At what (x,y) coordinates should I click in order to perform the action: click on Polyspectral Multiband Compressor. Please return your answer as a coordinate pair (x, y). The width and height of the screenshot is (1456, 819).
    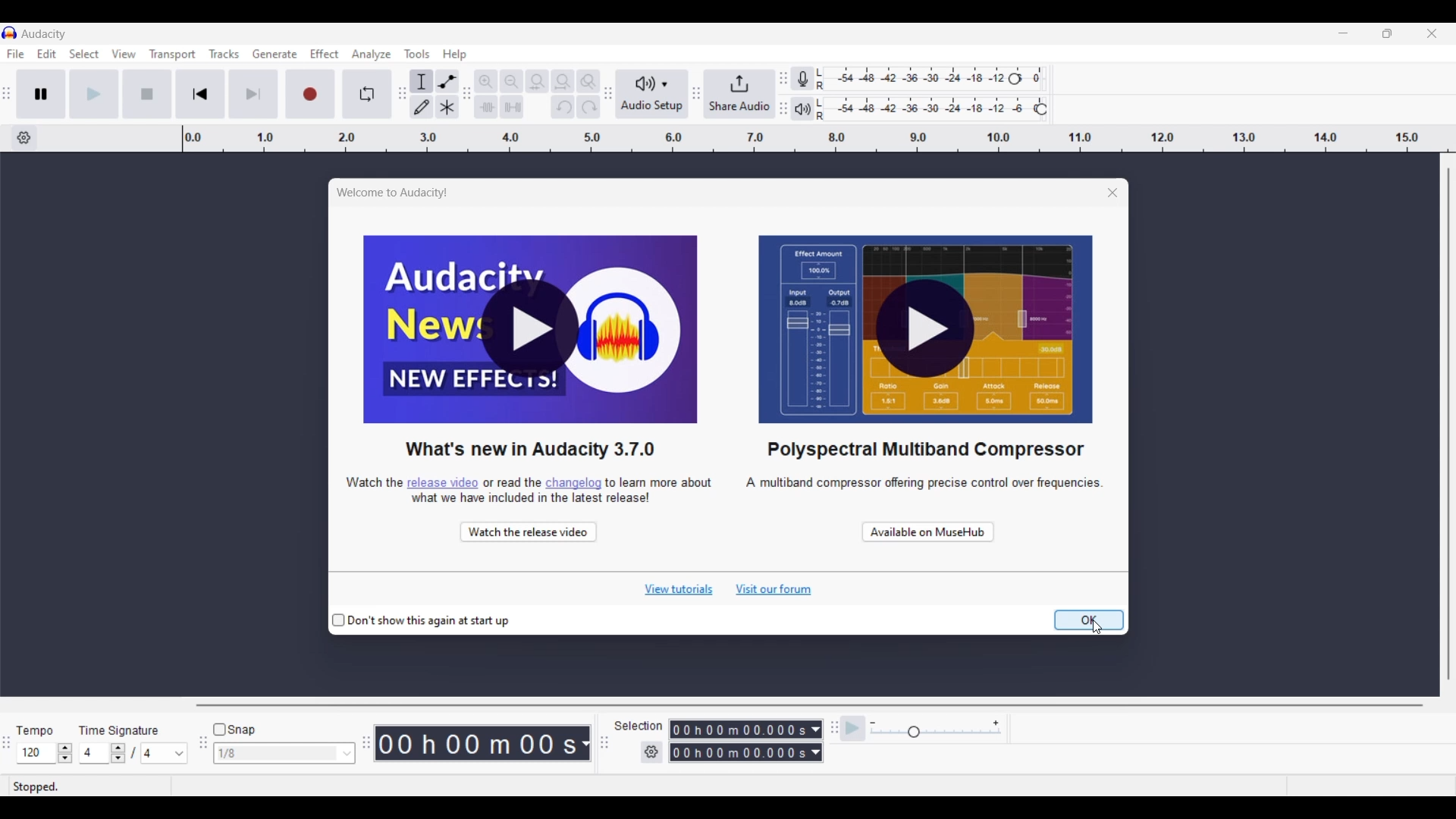
    Looking at the image, I should click on (924, 450).